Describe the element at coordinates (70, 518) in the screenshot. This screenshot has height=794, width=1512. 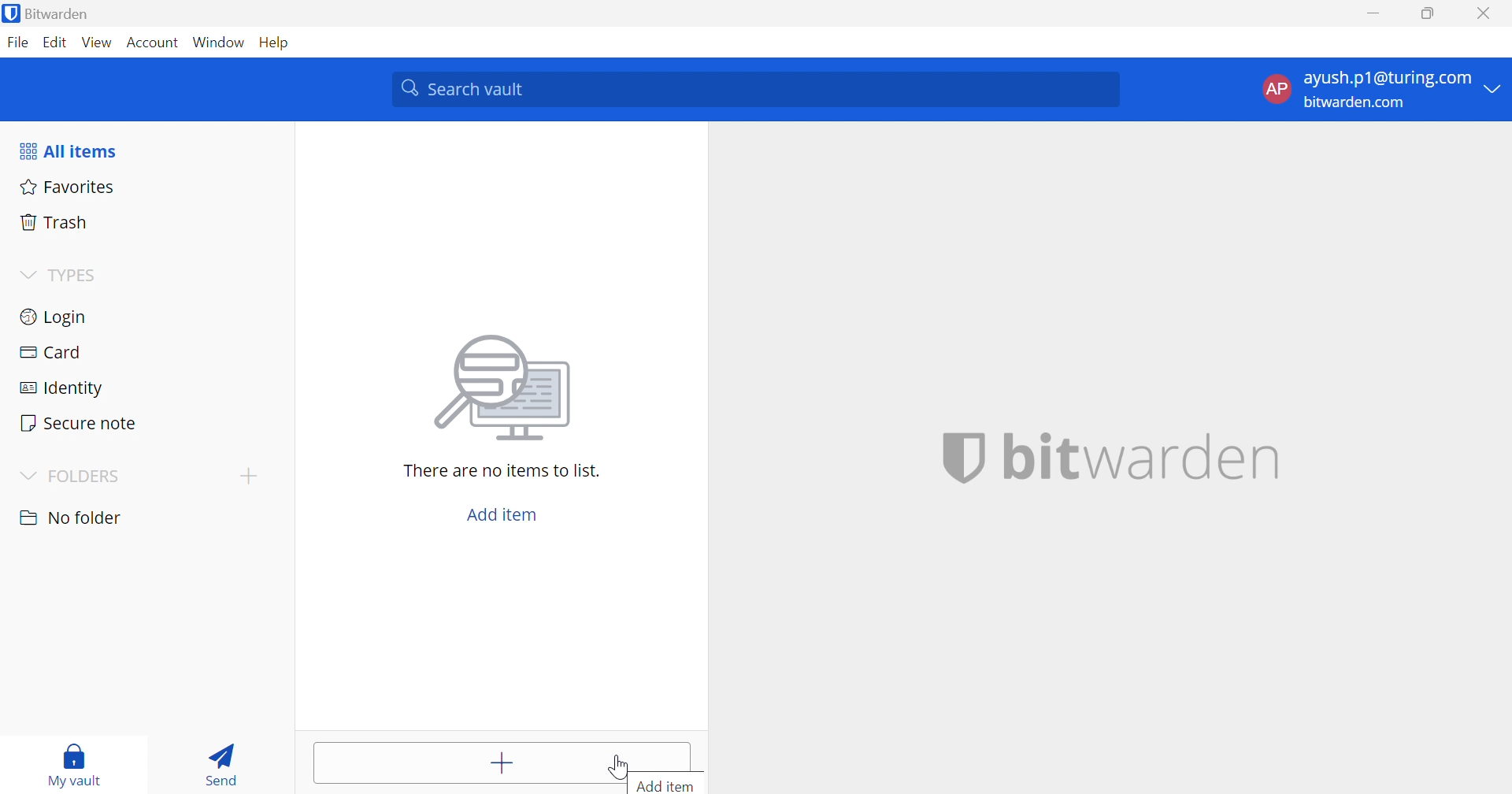
I see `nO FOLDER` at that location.